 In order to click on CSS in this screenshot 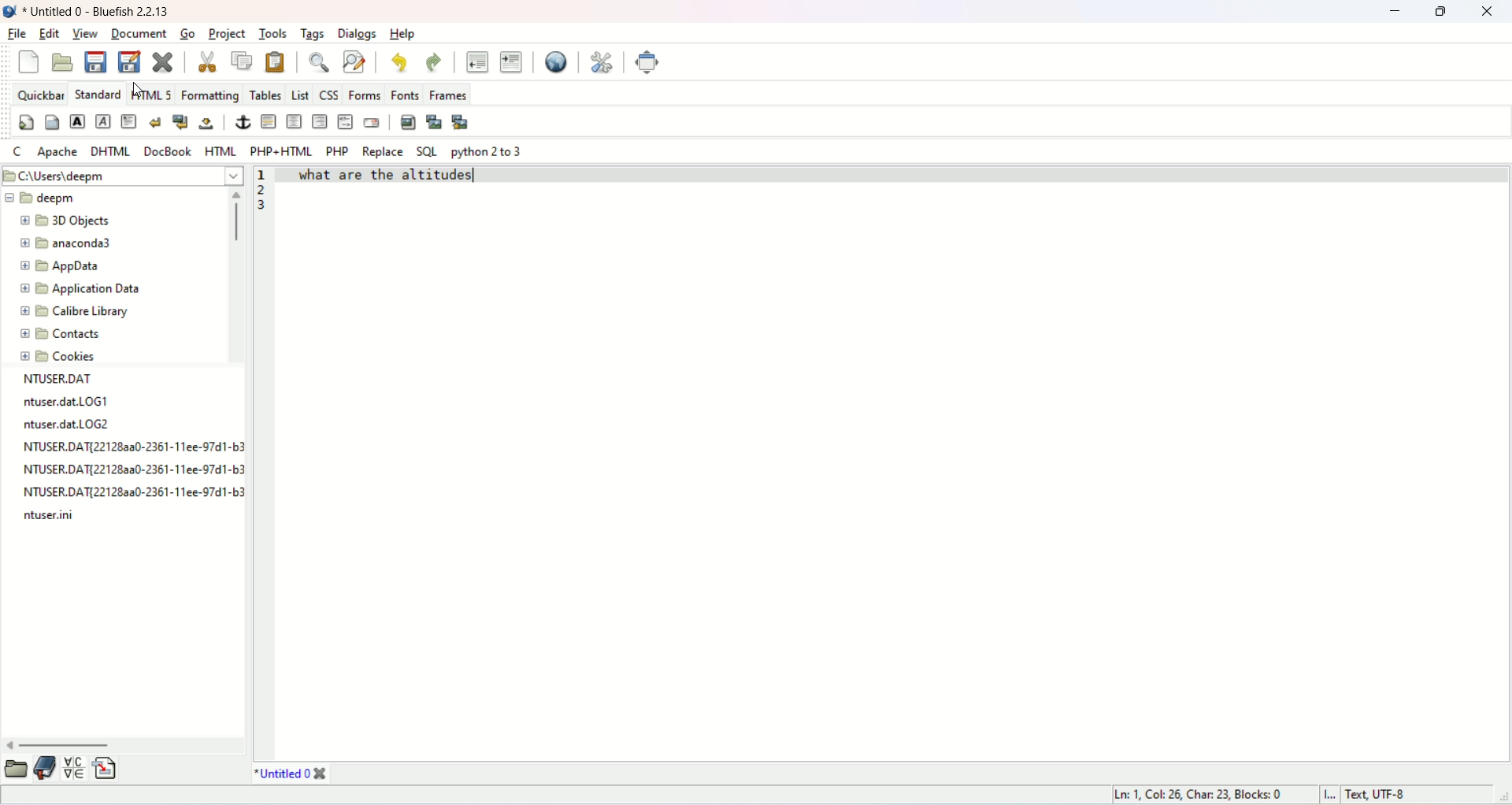, I will do `click(328, 93)`.